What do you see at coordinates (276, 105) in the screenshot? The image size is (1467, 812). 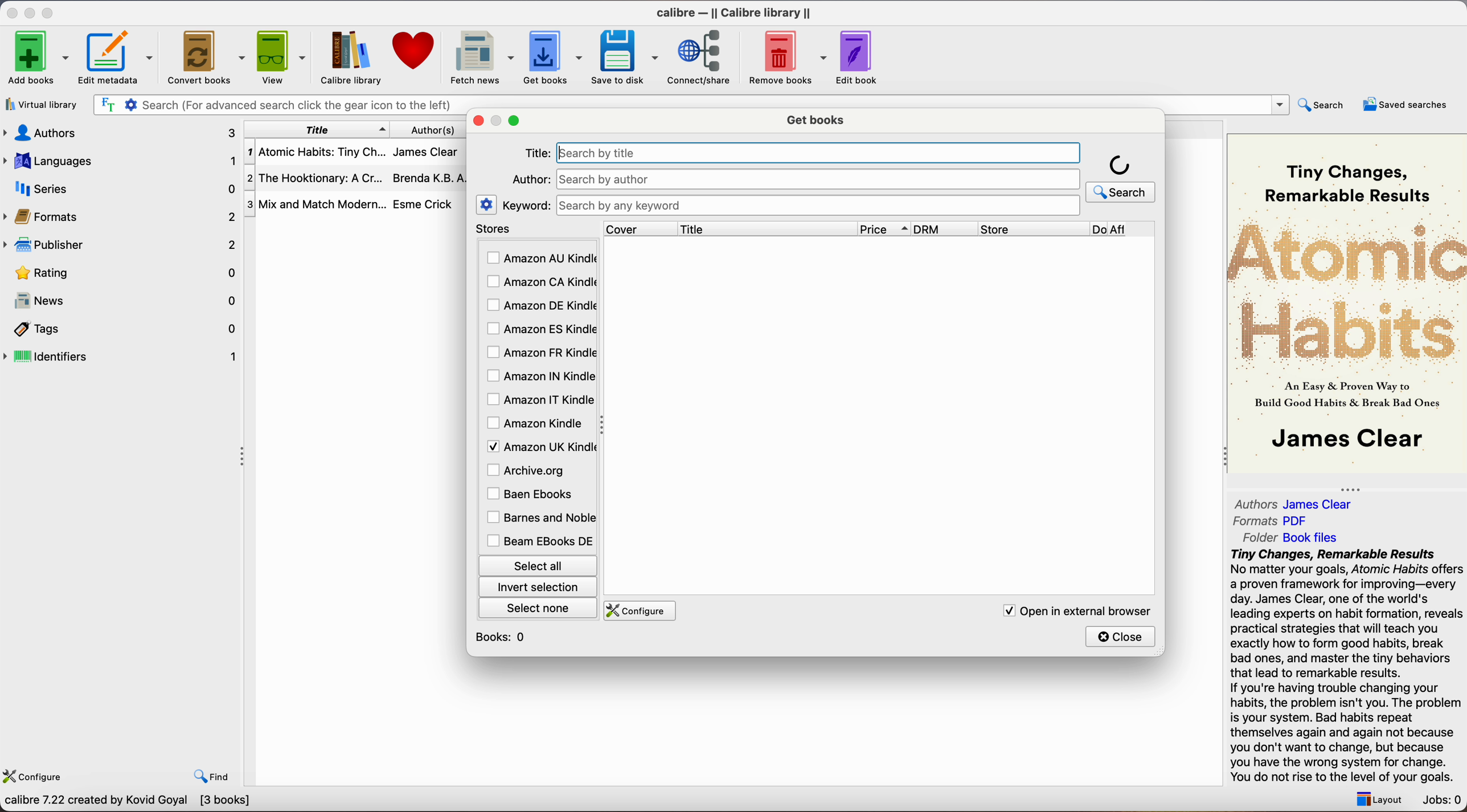 I see `search bar` at bounding box center [276, 105].